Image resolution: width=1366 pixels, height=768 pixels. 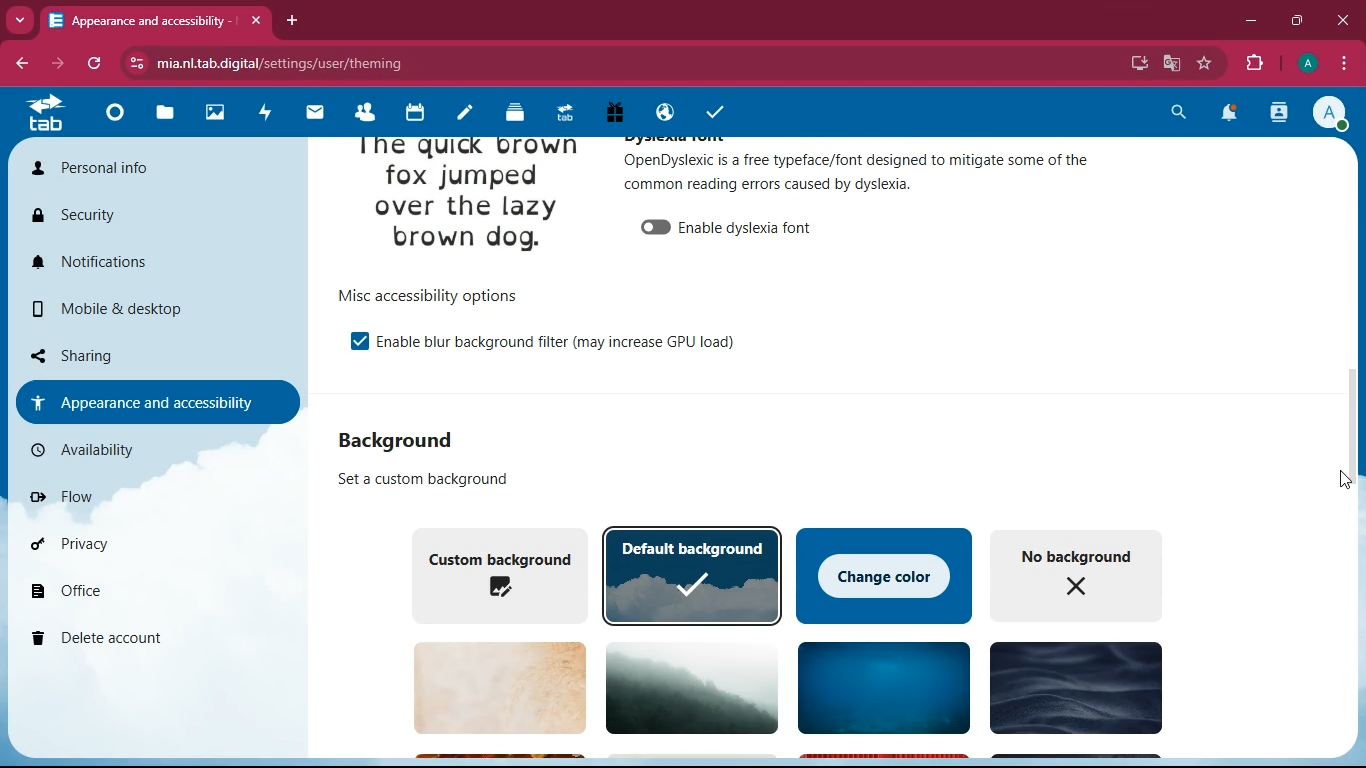 What do you see at coordinates (137, 544) in the screenshot?
I see `privacy` at bounding box center [137, 544].